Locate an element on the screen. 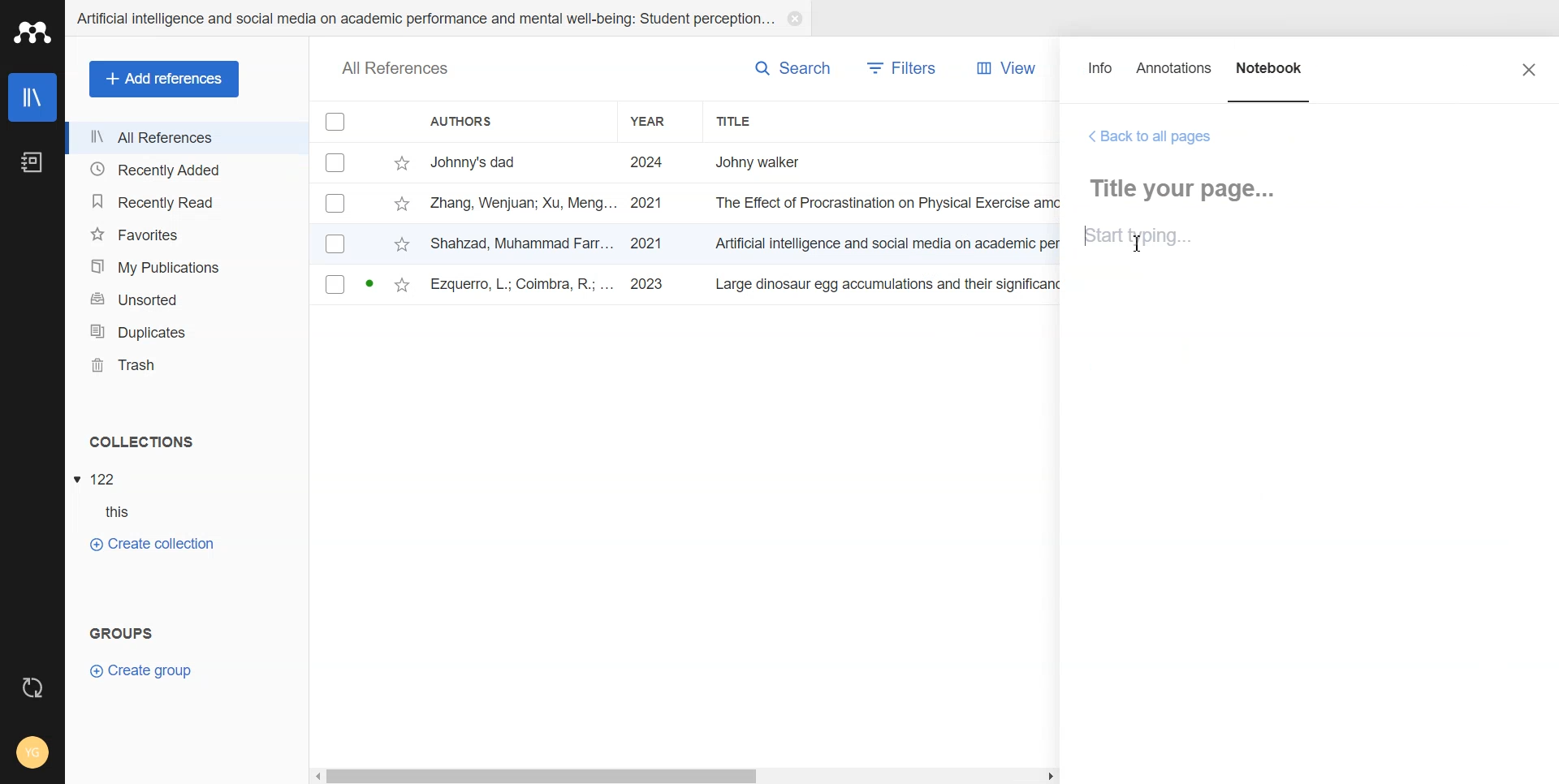 Image resolution: width=1559 pixels, height=784 pixels. Favorites is located at coordinates (186, 235).